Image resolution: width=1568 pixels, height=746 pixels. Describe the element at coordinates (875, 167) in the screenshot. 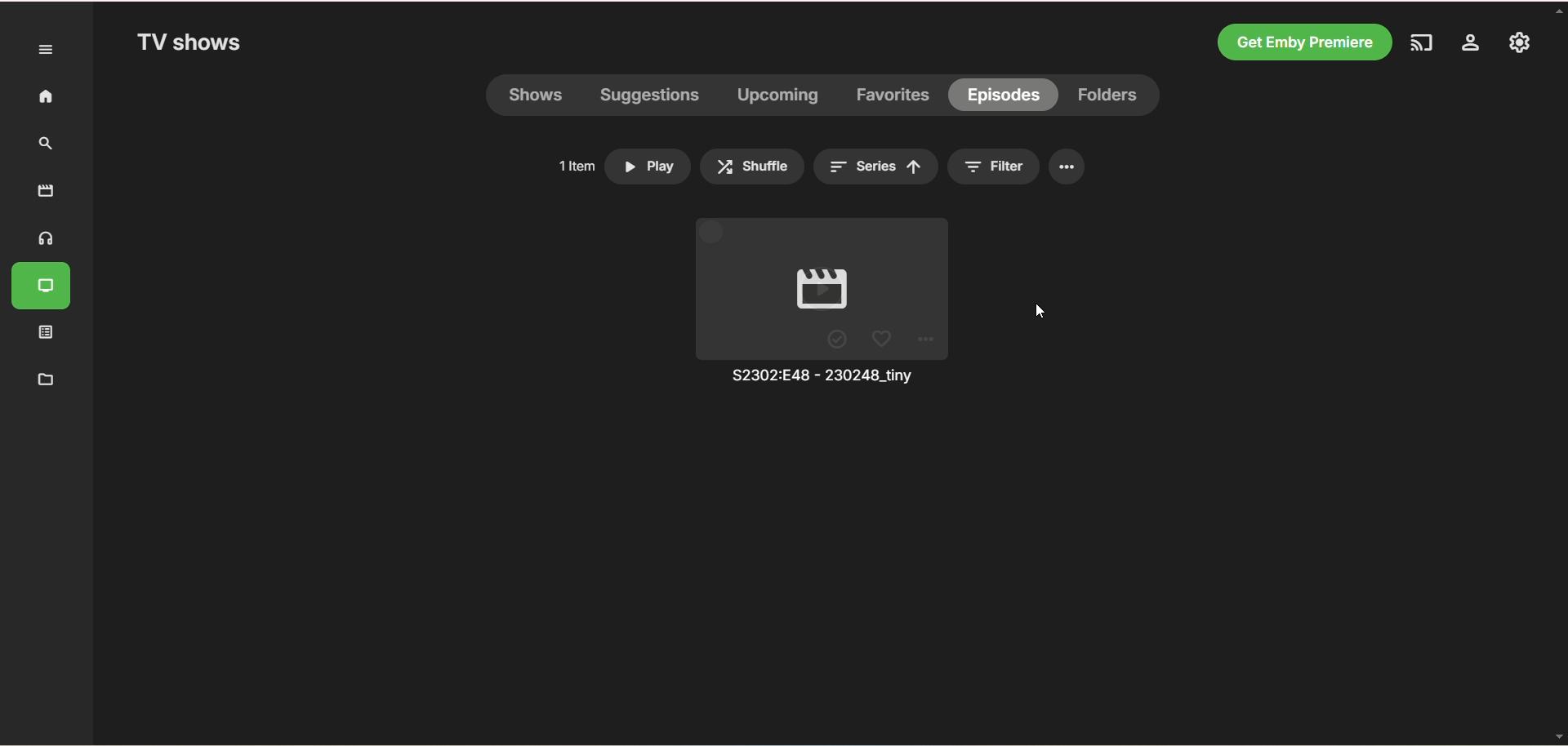

I see `= series` at that location.